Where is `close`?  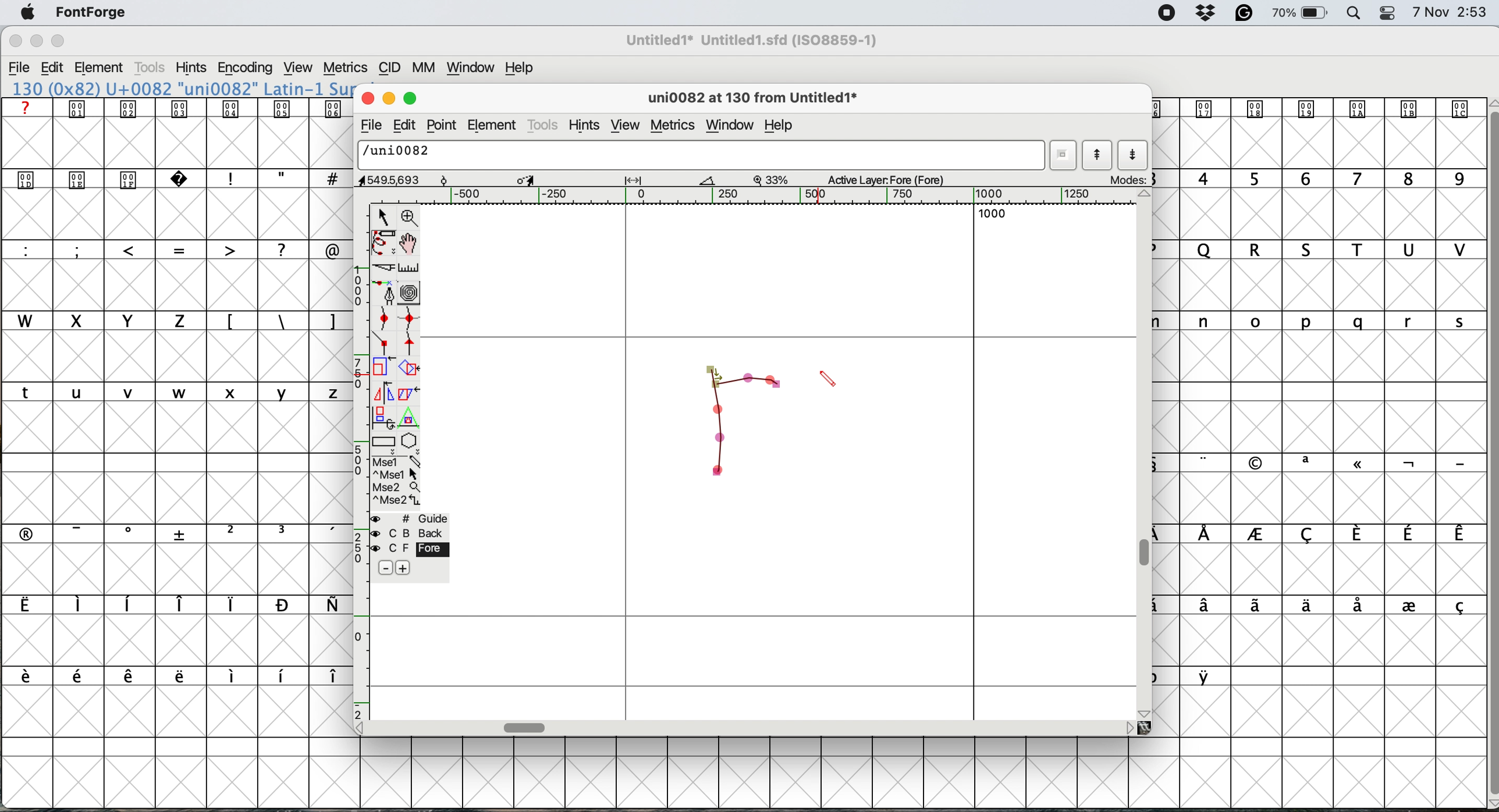
close is located at coordinates (368, 99).